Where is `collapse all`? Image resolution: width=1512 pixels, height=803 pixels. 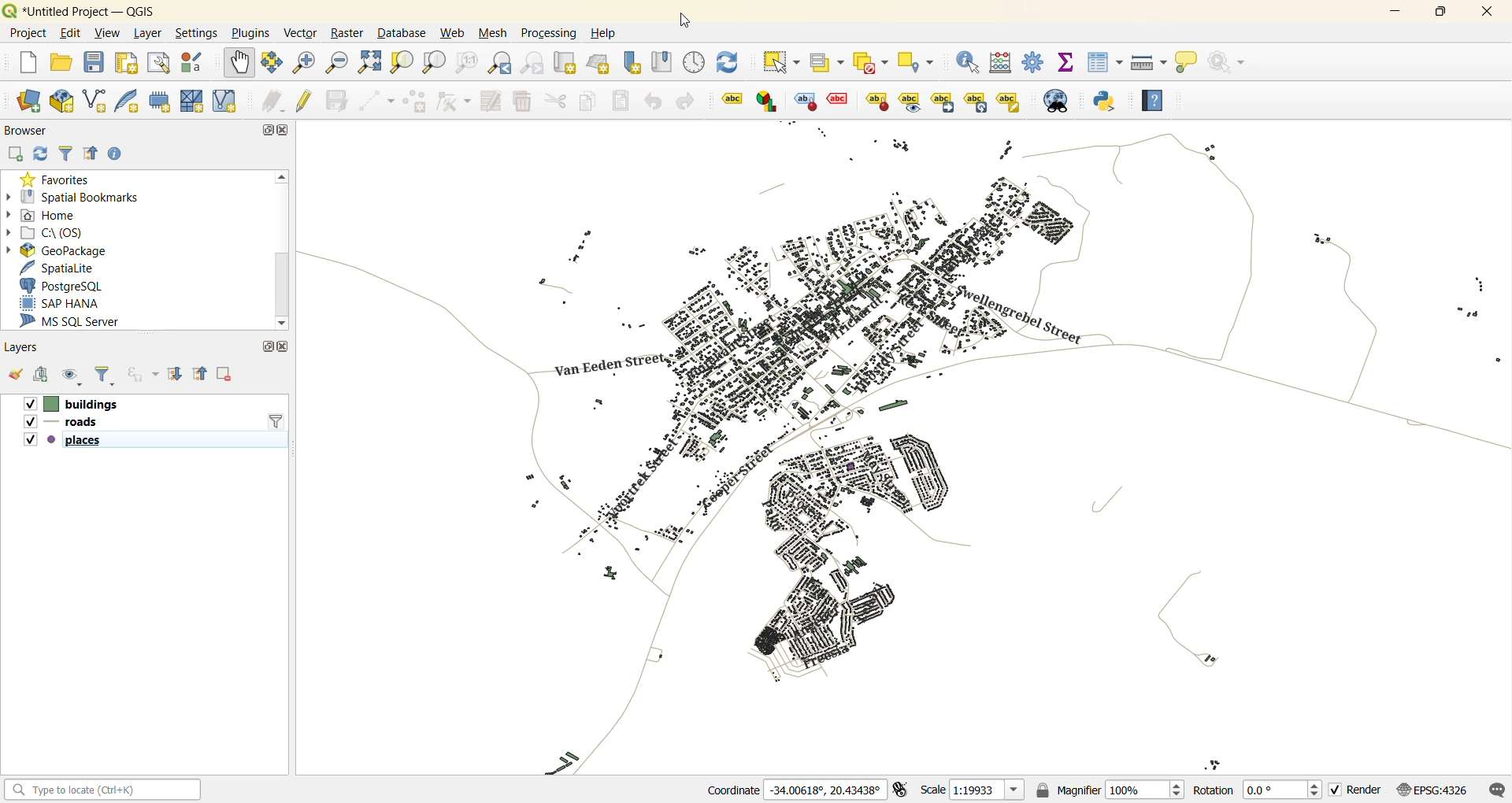
collapse all is located at coordinates (91, 156).